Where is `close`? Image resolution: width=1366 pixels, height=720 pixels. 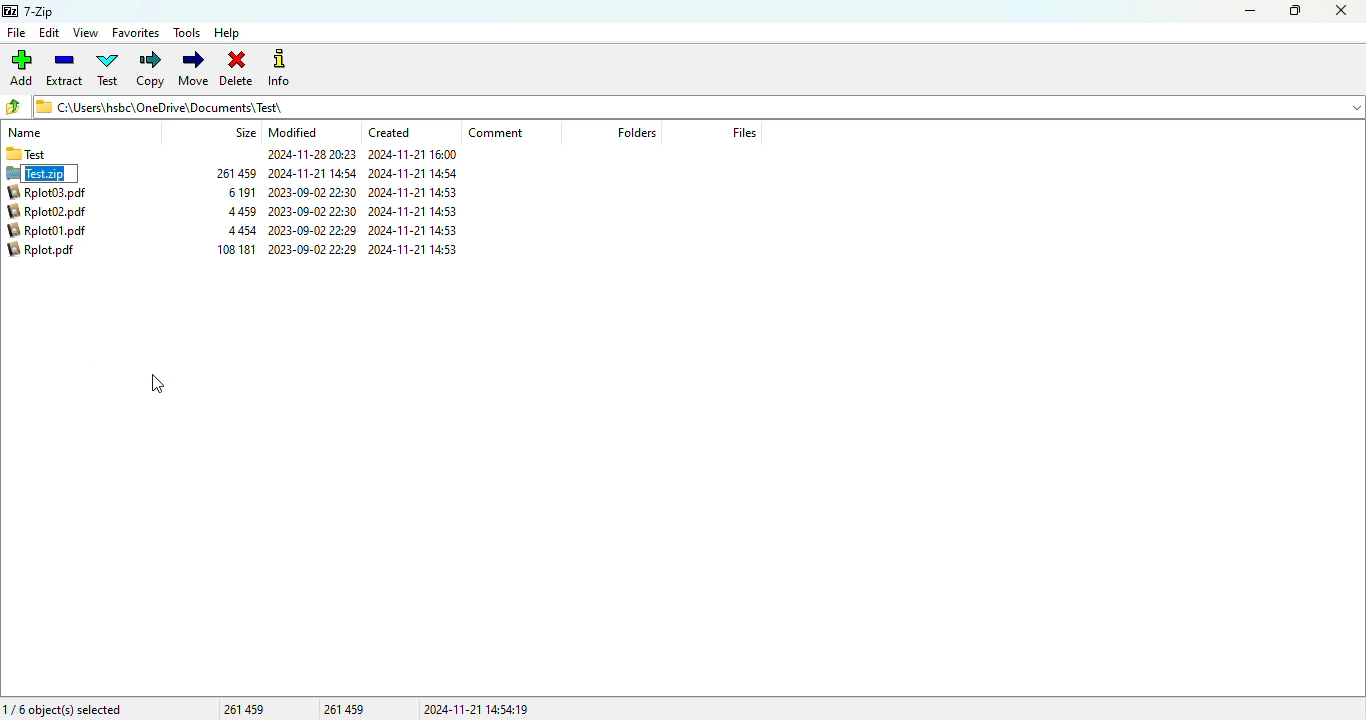 close is located at coordinates (1341, 11).